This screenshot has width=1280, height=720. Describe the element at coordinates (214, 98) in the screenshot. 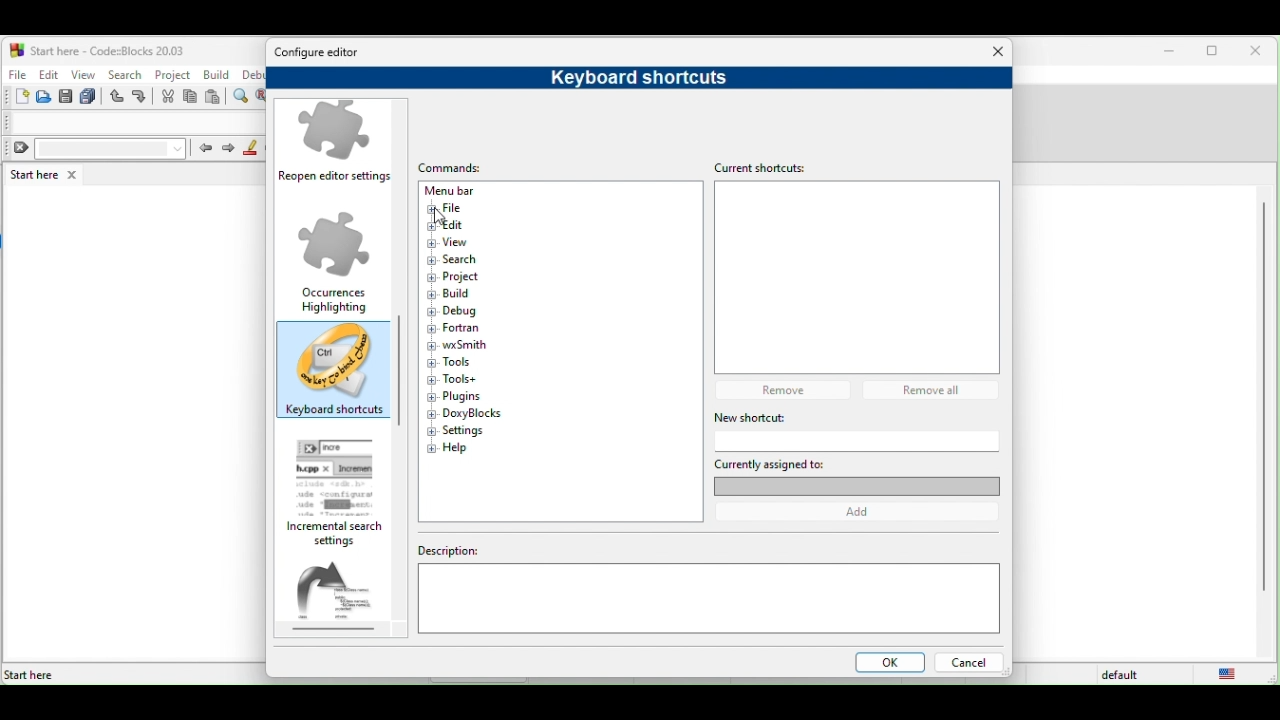

I see `paste` at that location.